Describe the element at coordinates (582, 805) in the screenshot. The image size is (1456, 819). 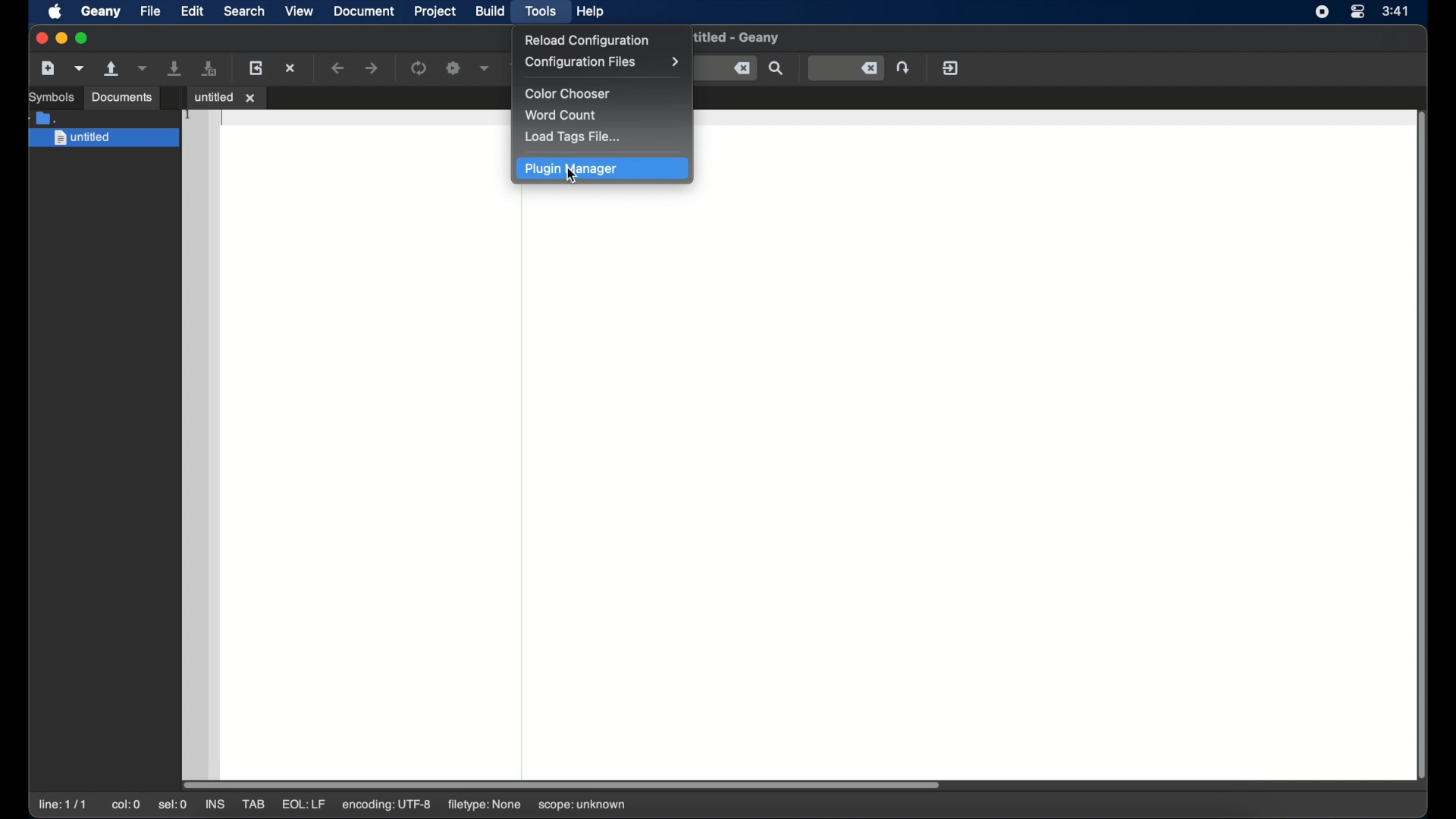
I see `scope: unknown` at that location.